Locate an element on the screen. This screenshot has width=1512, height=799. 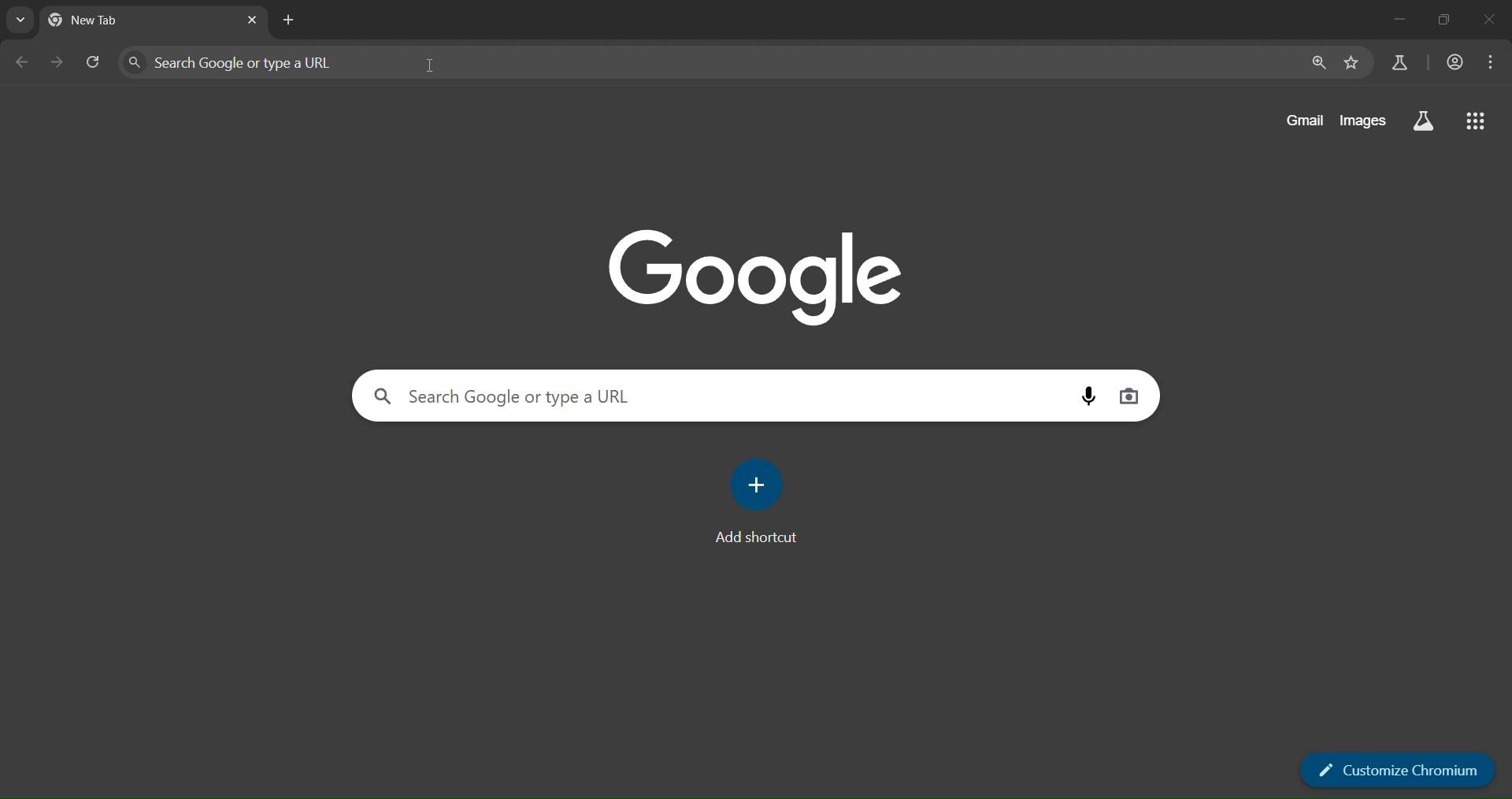
customize chromium is located at coordinates (1395, 769).